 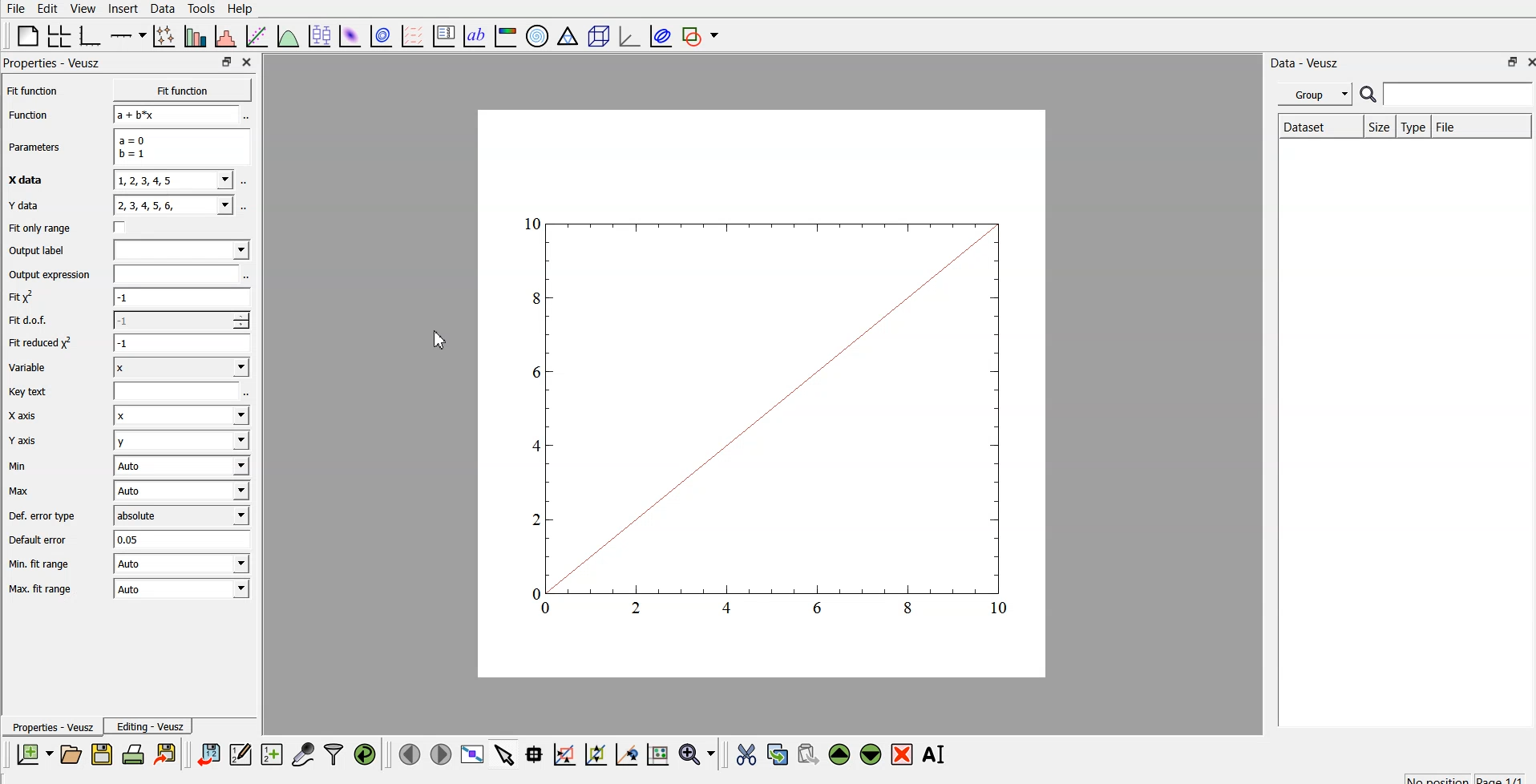 I want to click on add shape, so click(x=705, y=36).